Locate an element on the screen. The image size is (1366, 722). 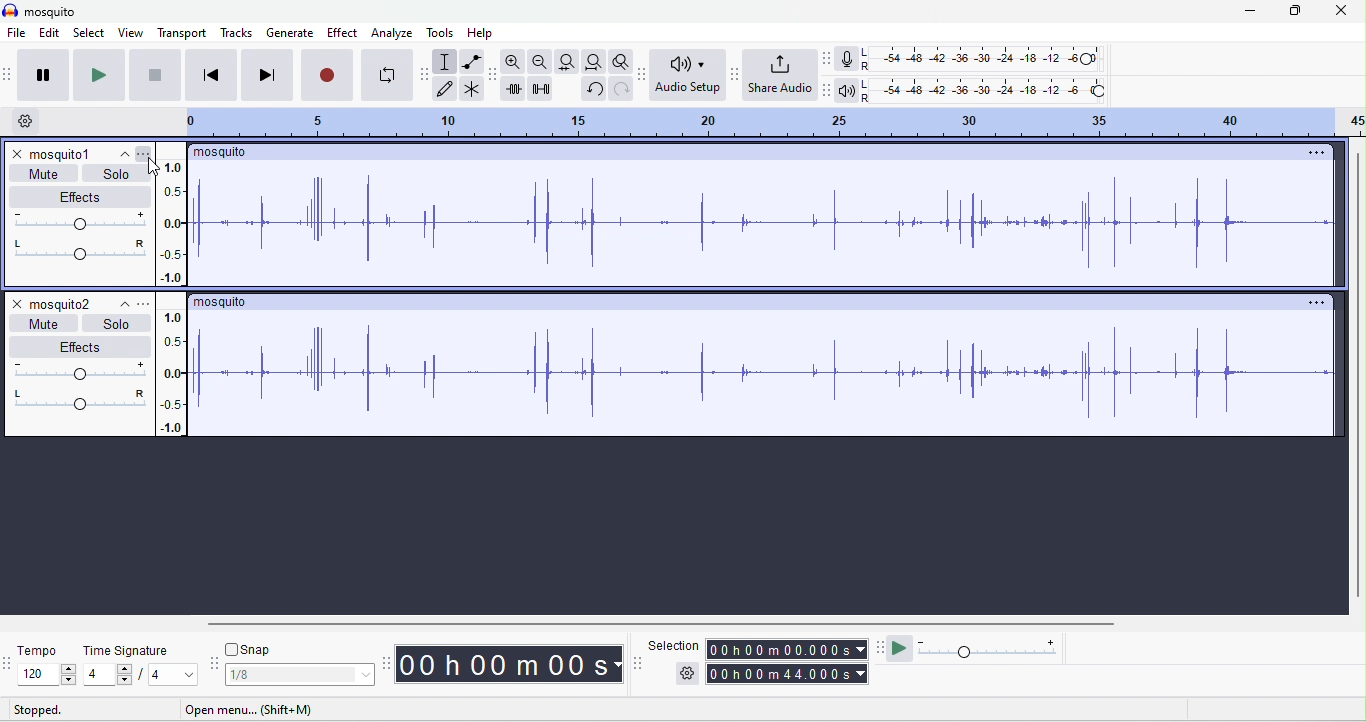
close is located at coordinates (19, 301).